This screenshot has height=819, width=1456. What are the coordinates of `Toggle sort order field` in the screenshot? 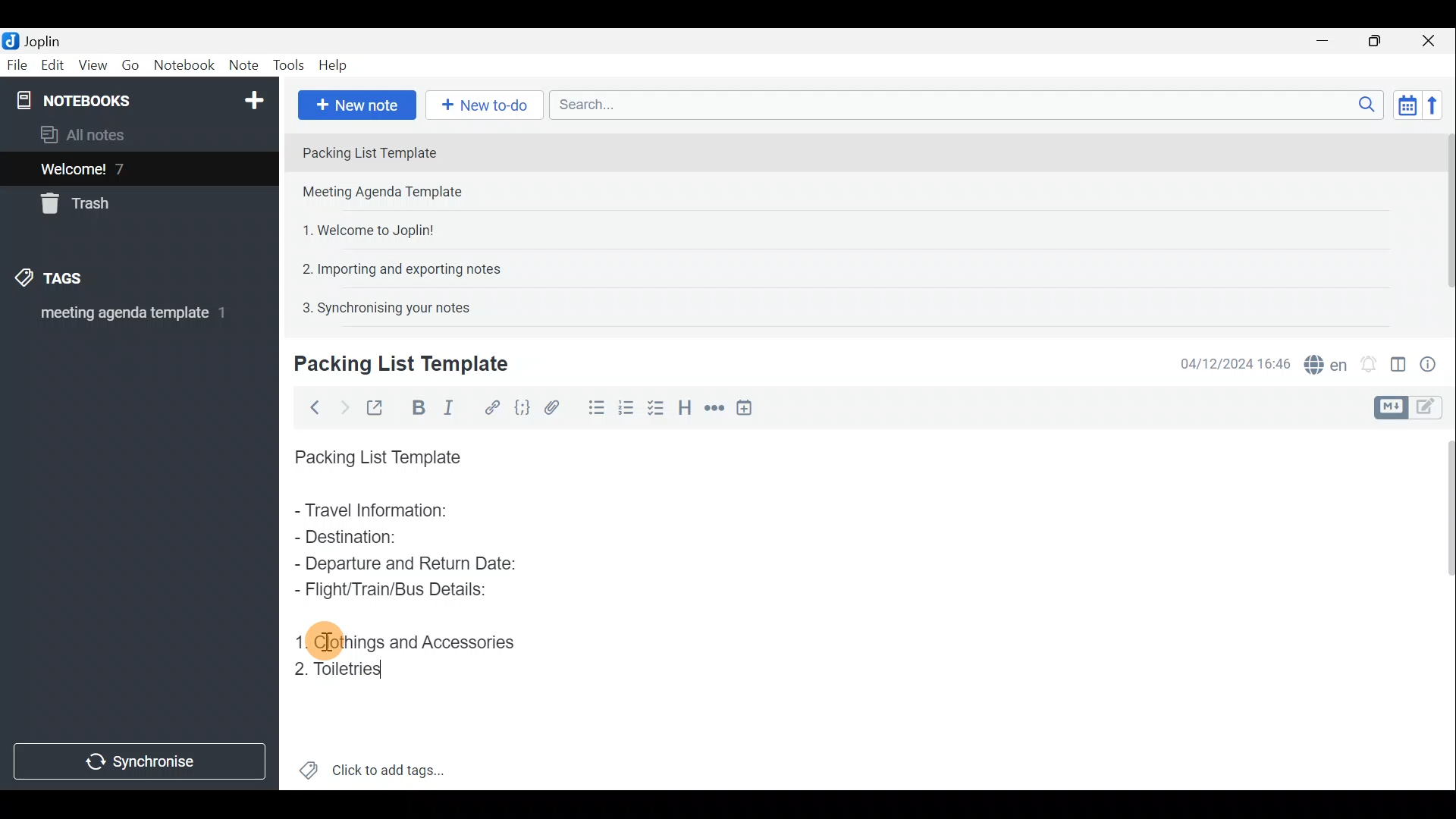 It's located at (1402, 105).